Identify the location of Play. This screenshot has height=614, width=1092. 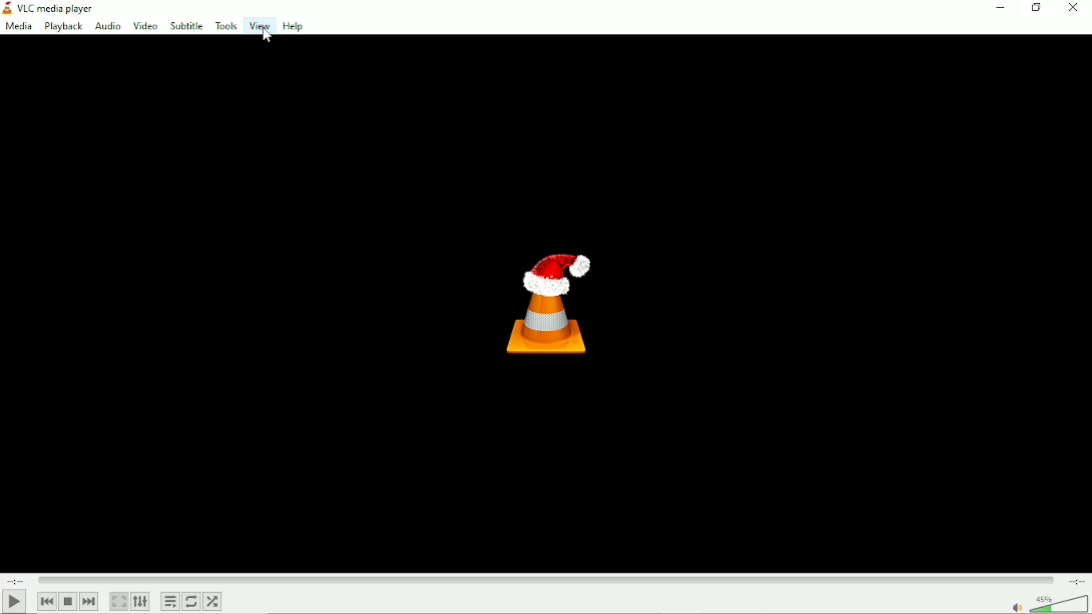
(14, 602).